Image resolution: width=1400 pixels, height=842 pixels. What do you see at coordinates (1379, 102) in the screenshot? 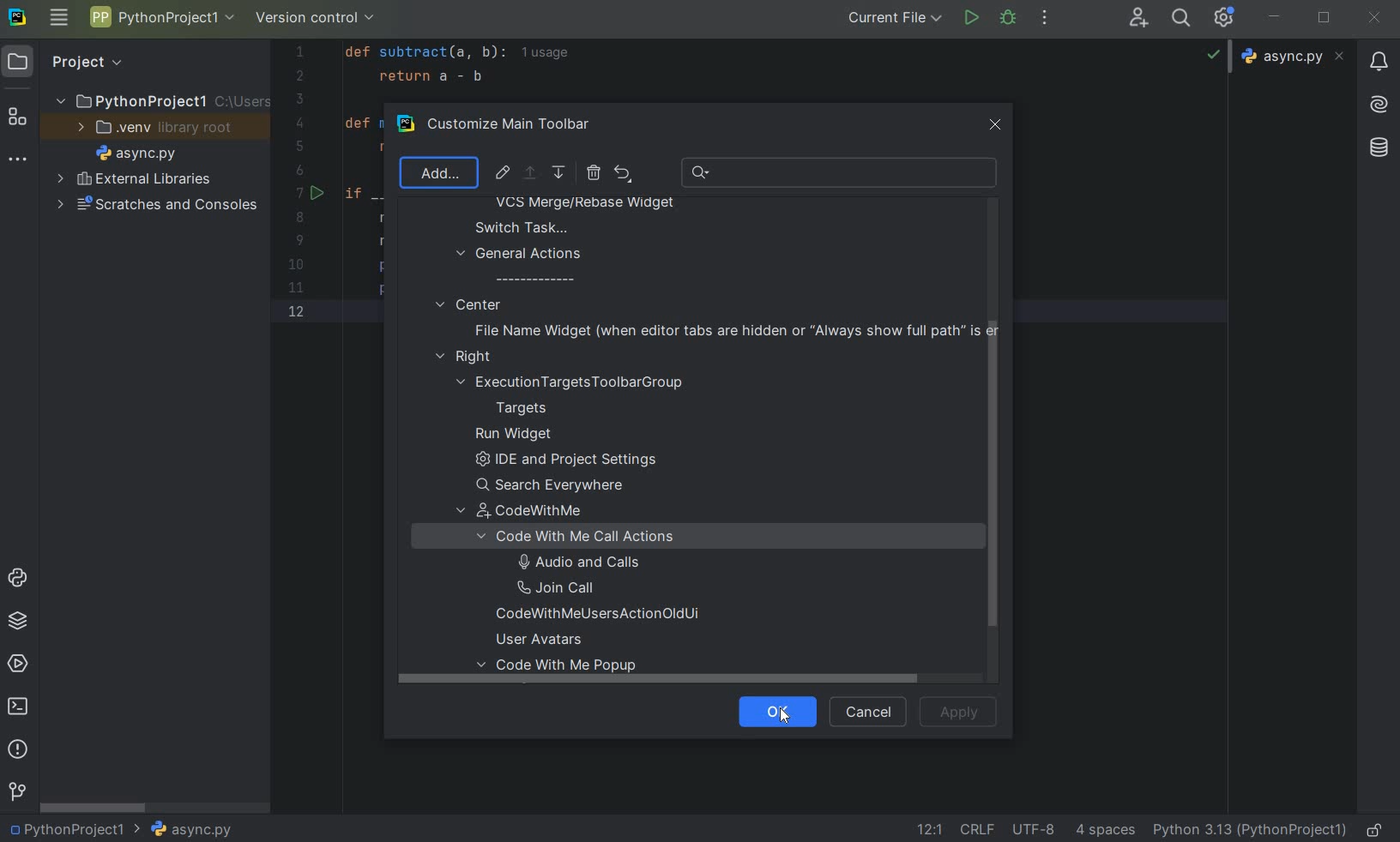
I see `` at bounding box center [1379, 102].